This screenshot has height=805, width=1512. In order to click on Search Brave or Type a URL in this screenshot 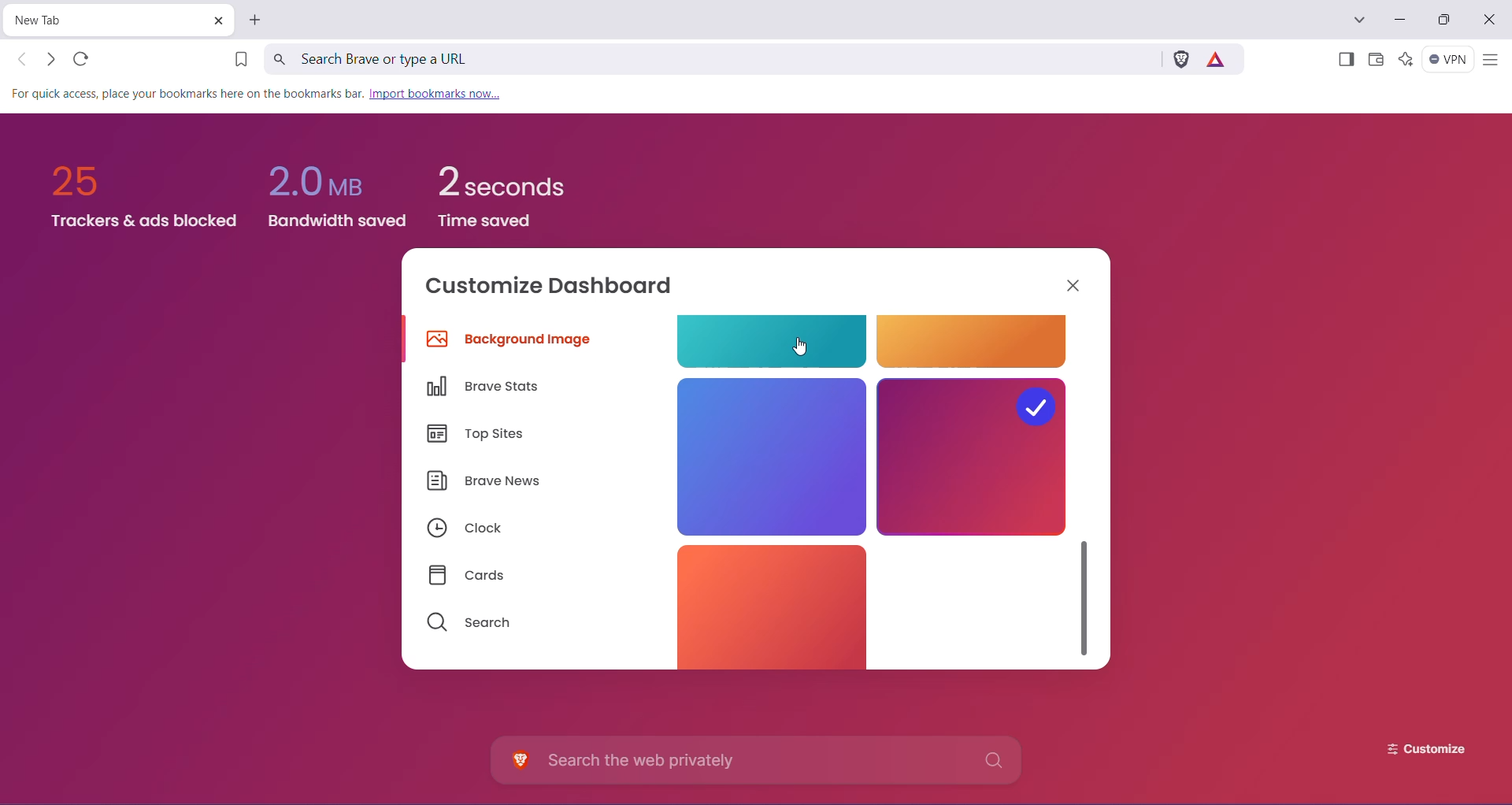, I will do `click(710, 58)`.